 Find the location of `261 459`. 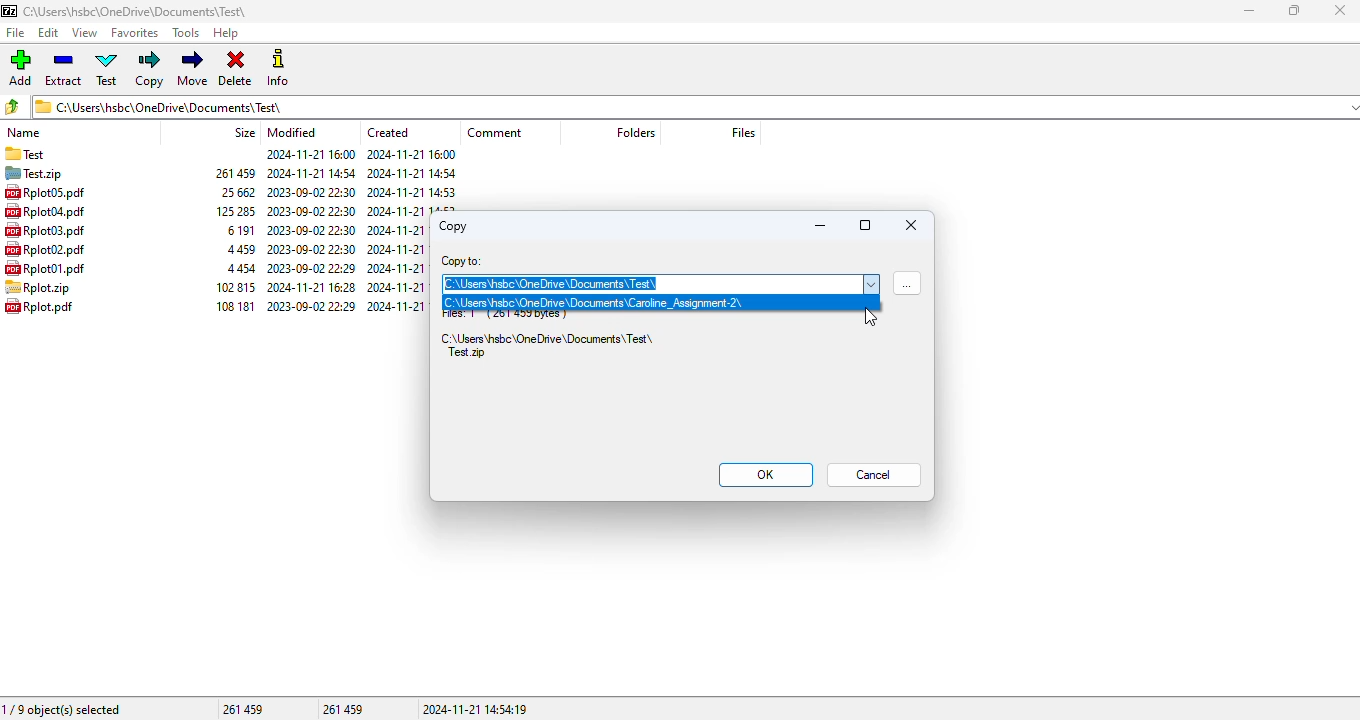

261 459 is located at coordinates (343, 709).